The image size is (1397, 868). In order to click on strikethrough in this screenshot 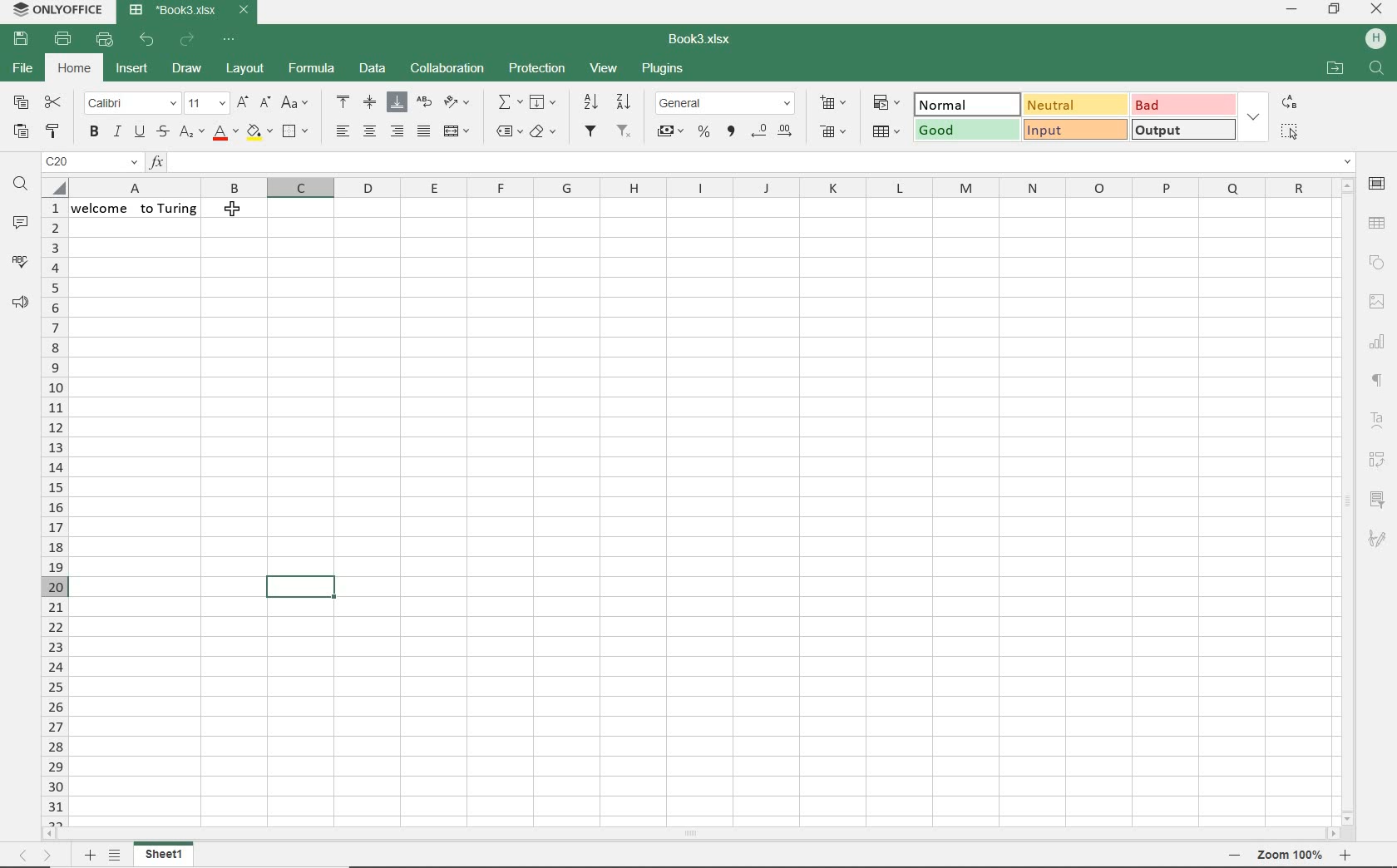, I will do `click(164, 133)`.